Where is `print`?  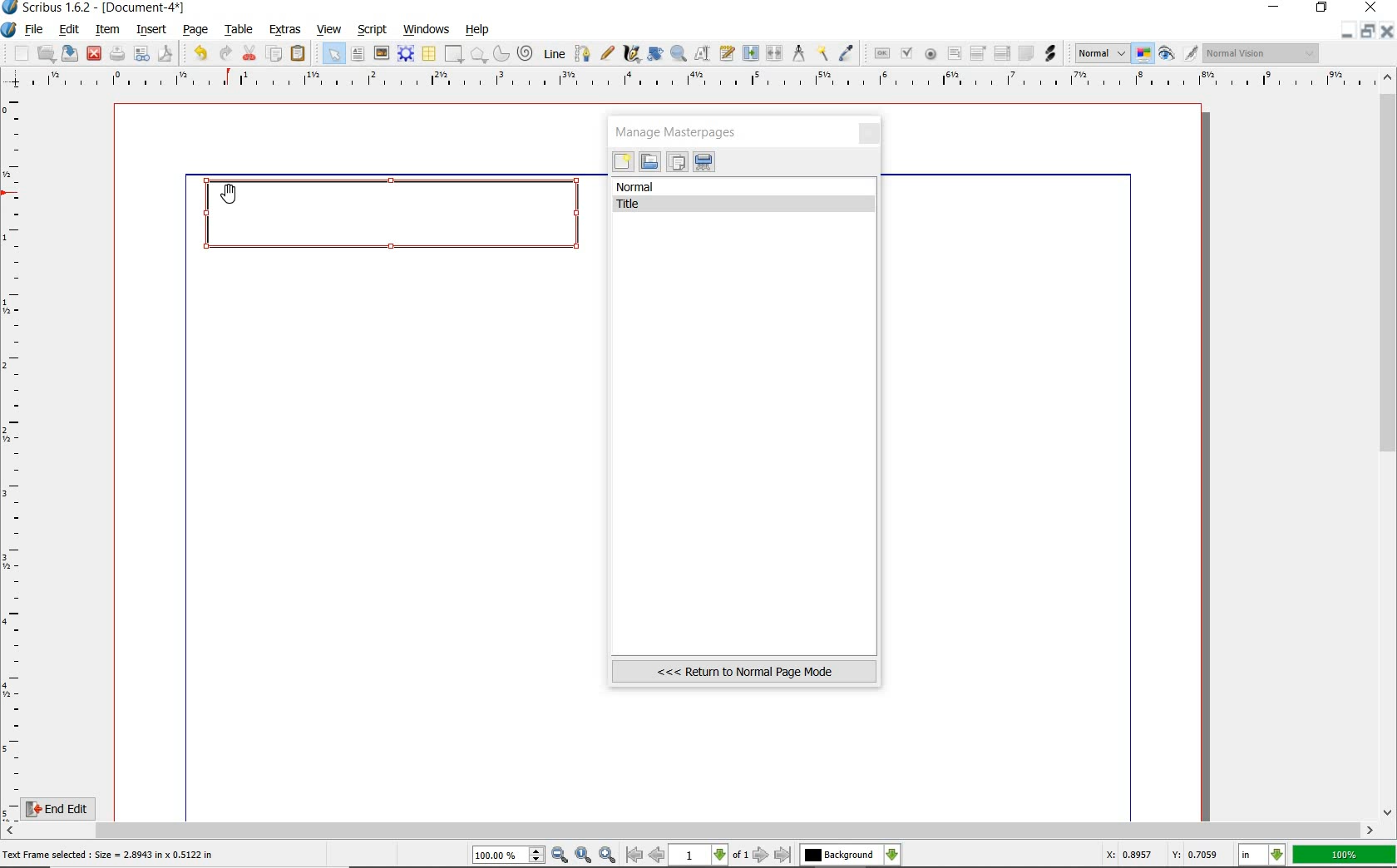
print is located at coordinates (117, 53).